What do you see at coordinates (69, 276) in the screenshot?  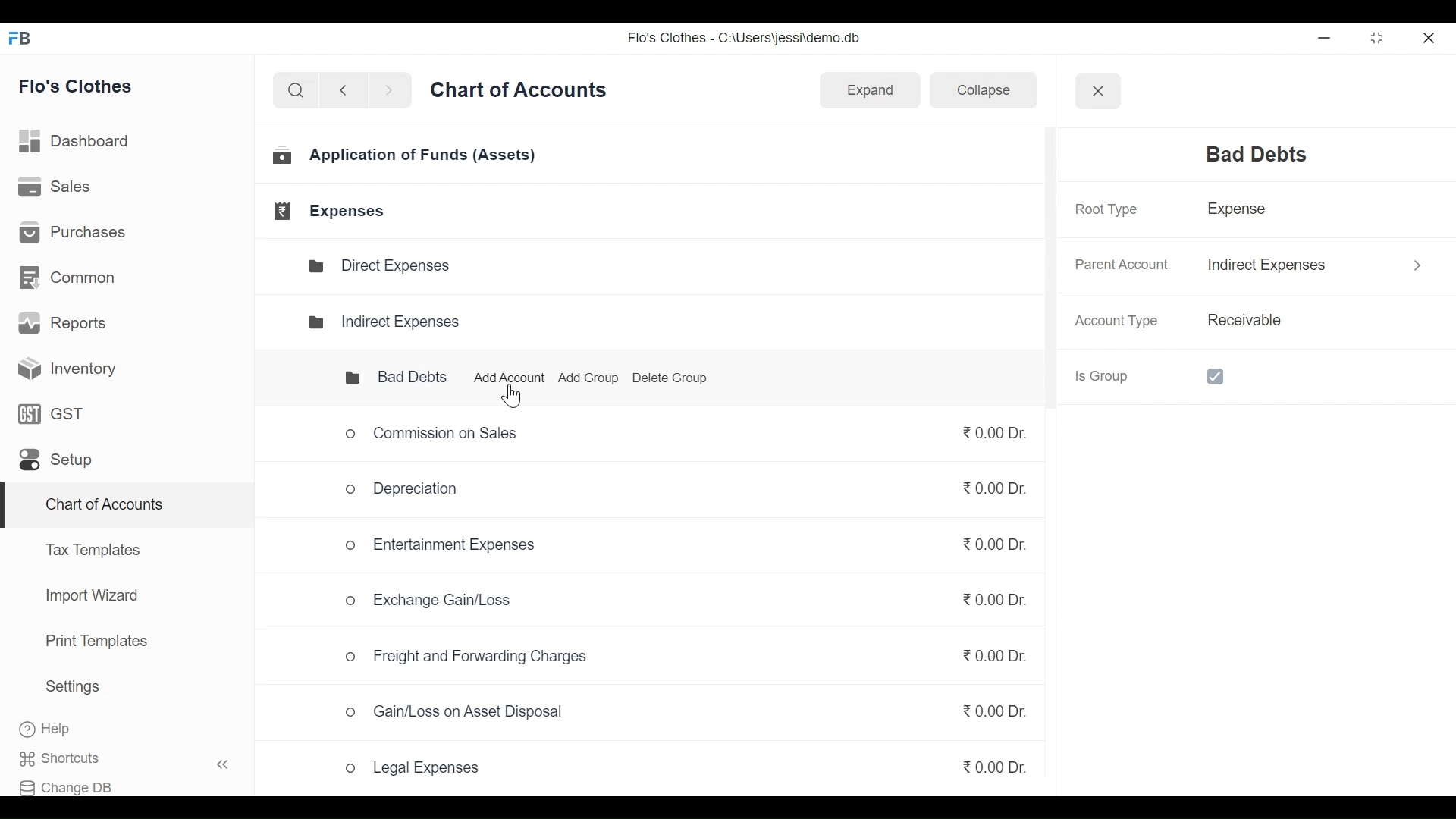 I see `Common` at bounding box center [69, 276].